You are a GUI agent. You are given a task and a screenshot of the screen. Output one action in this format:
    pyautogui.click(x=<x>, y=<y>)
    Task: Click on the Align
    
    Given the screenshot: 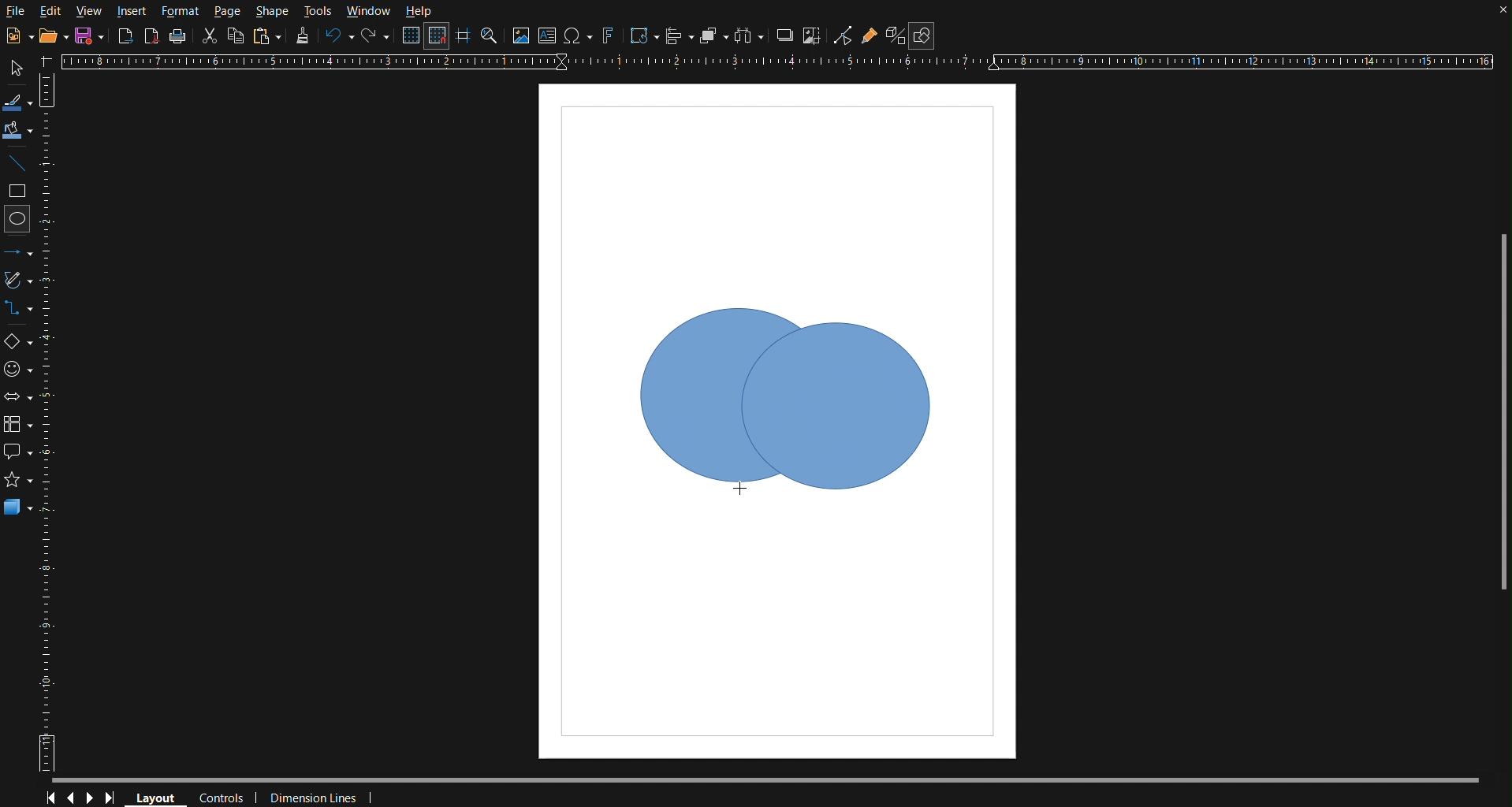 What is the action you would take?
    pyautogui.click(x=679, y=35)
    